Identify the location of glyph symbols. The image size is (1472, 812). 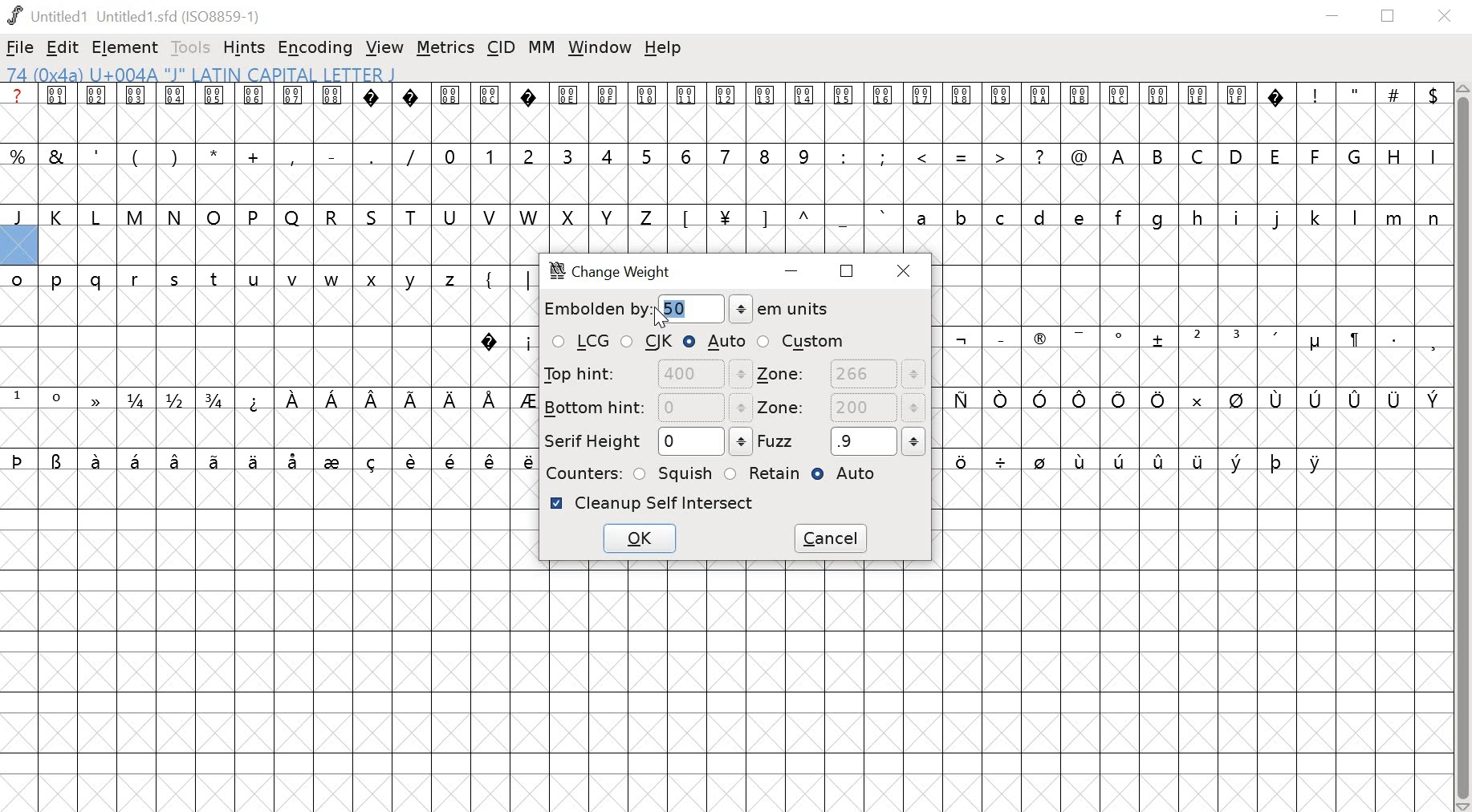
(644, 95).